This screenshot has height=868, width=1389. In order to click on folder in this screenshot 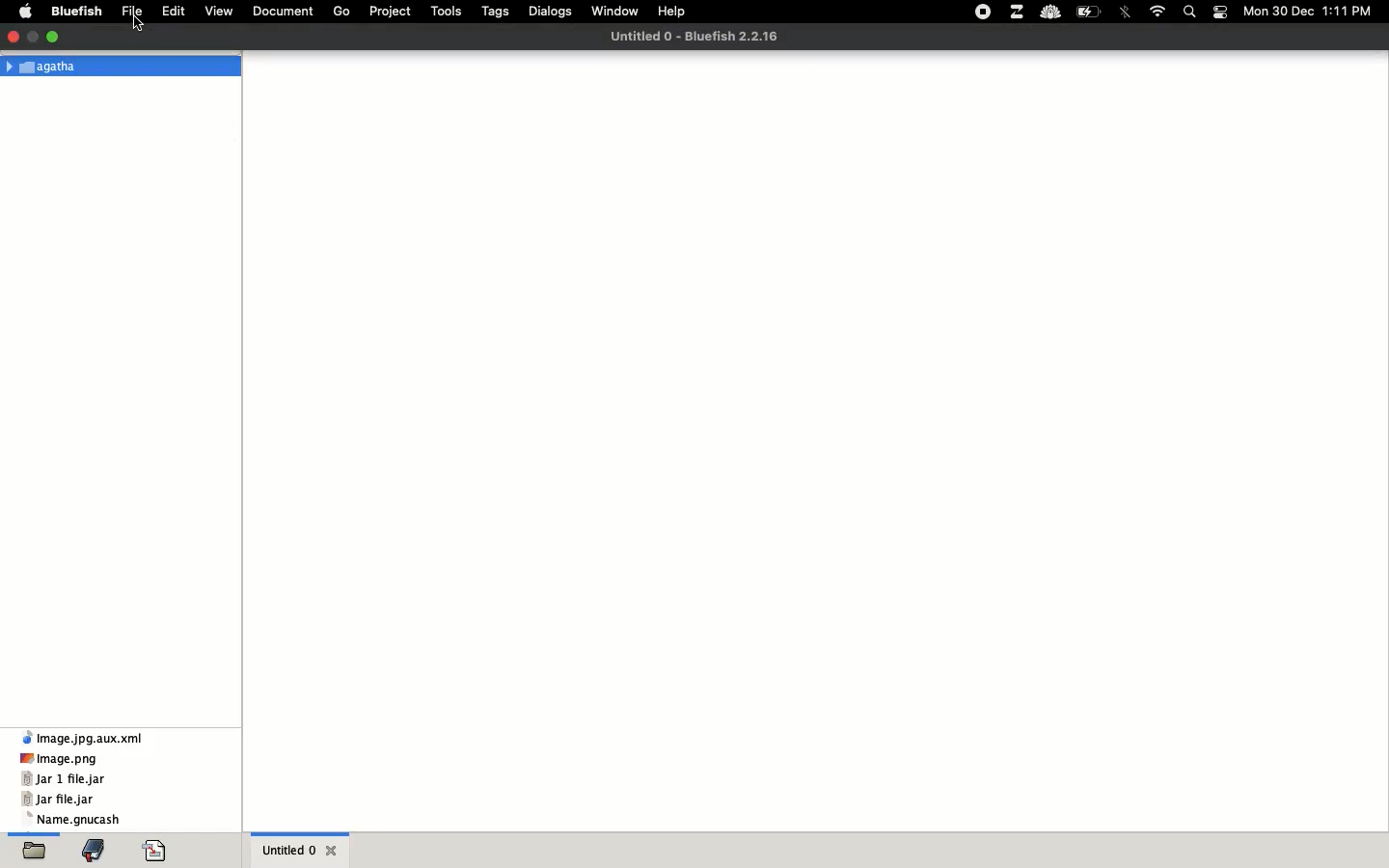, I will do `click(33, 853)`.